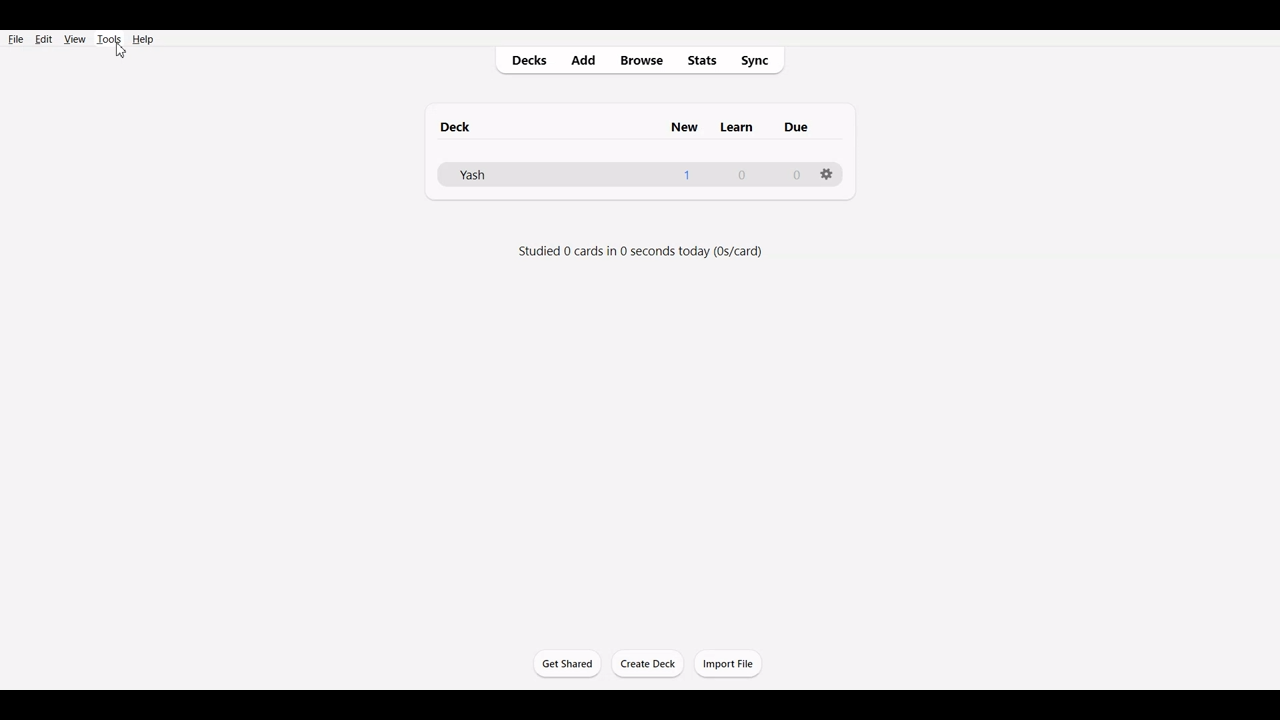 The image size is (1280, 720). I want to click on 1, so click(688, 176).